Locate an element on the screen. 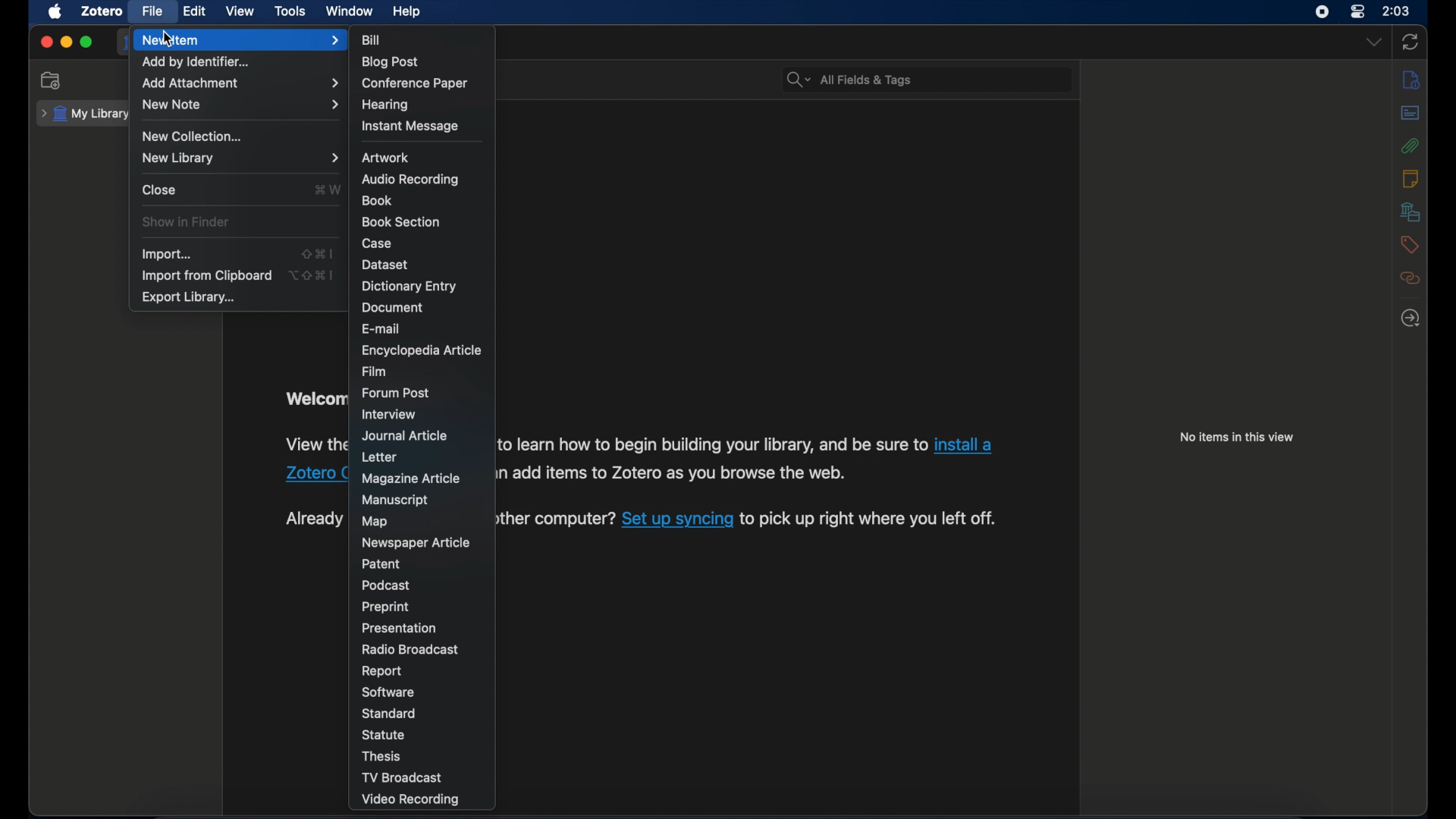 The image size is (1456, 819). bill is located at coordinates (372, 40).